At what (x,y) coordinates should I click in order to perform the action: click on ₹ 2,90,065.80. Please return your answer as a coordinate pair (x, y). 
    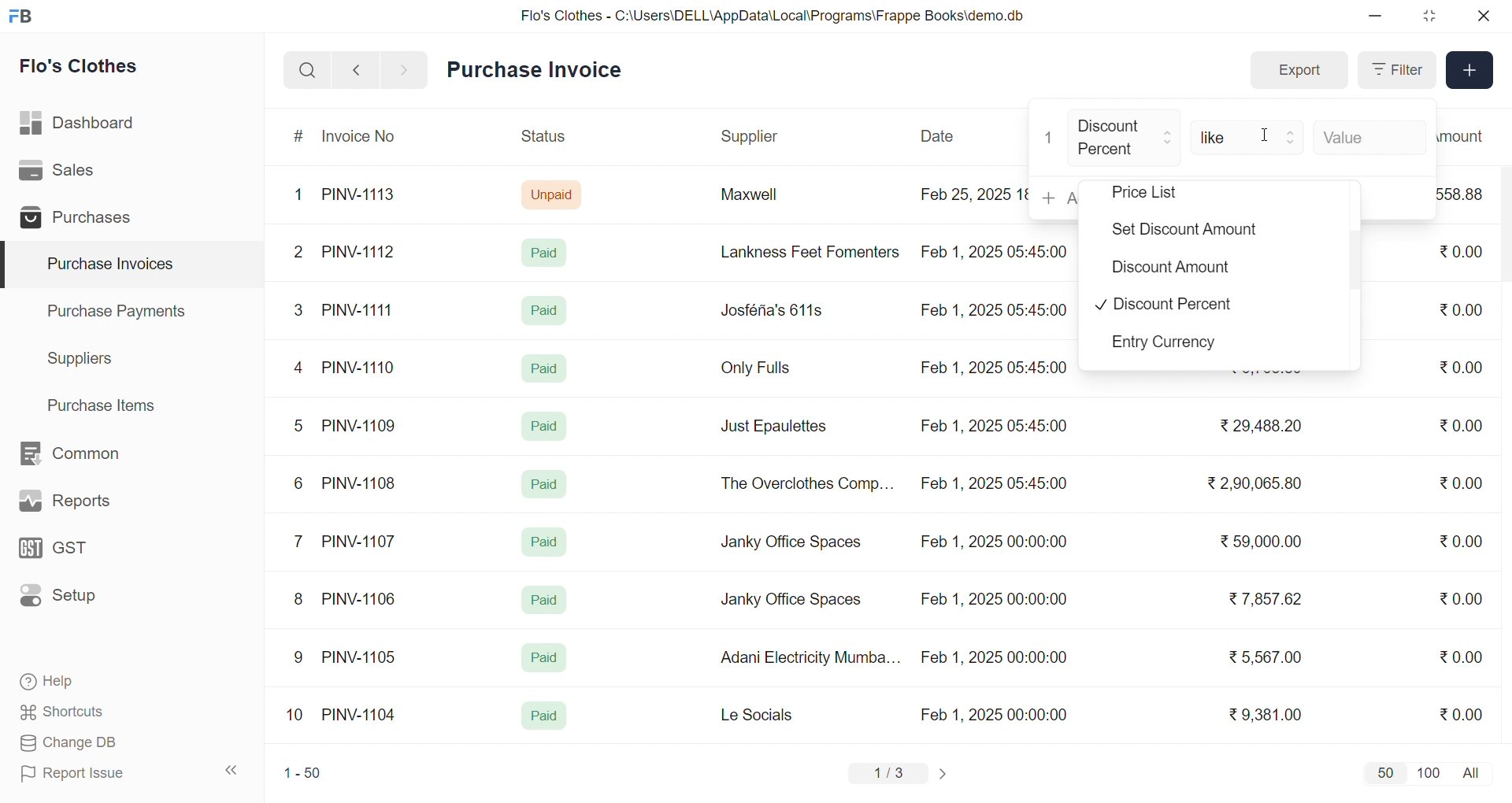
    Looking at the image, I should click on (1256, 484).